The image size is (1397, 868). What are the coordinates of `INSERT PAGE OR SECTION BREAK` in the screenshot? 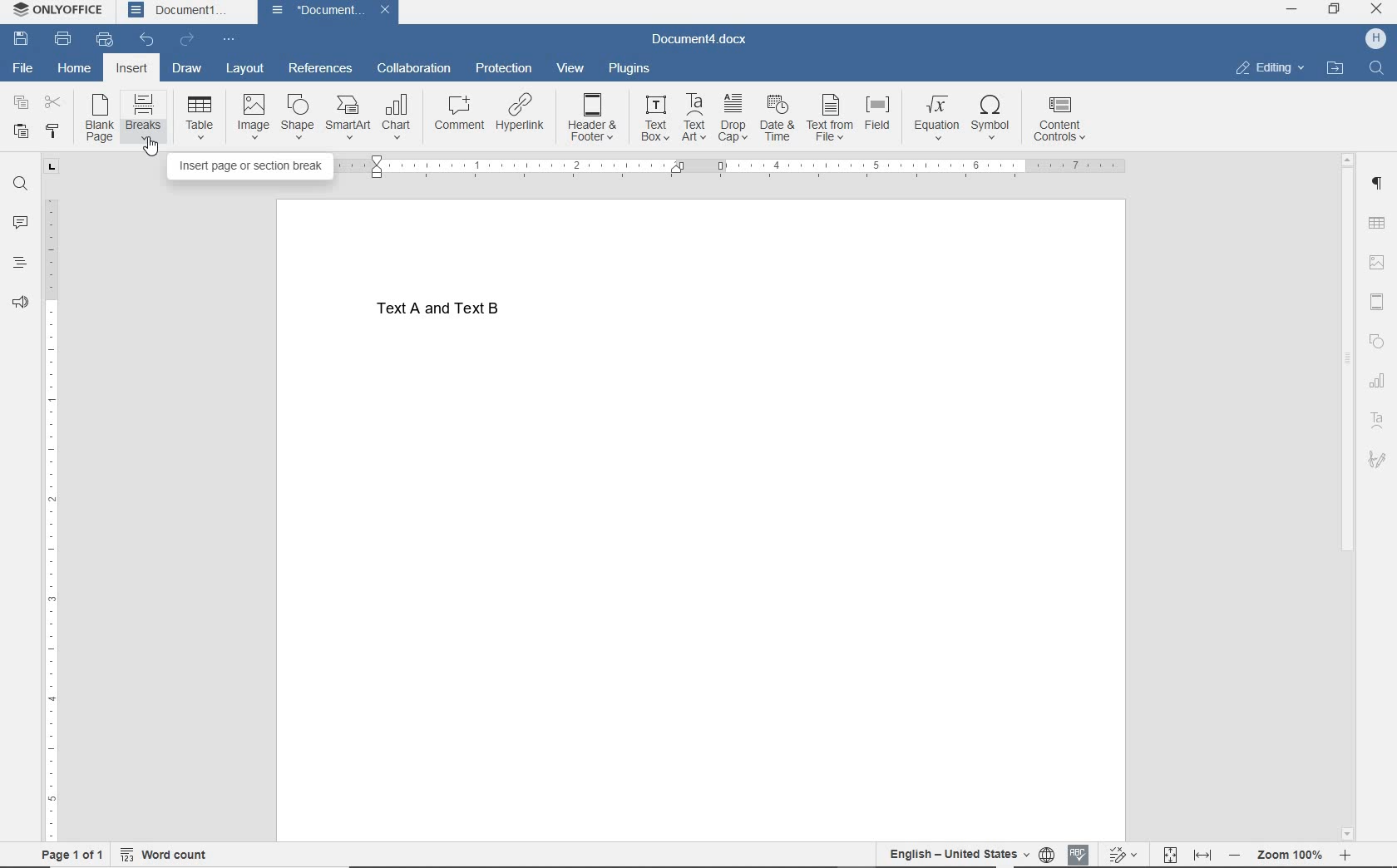 It's located at (253, 167).